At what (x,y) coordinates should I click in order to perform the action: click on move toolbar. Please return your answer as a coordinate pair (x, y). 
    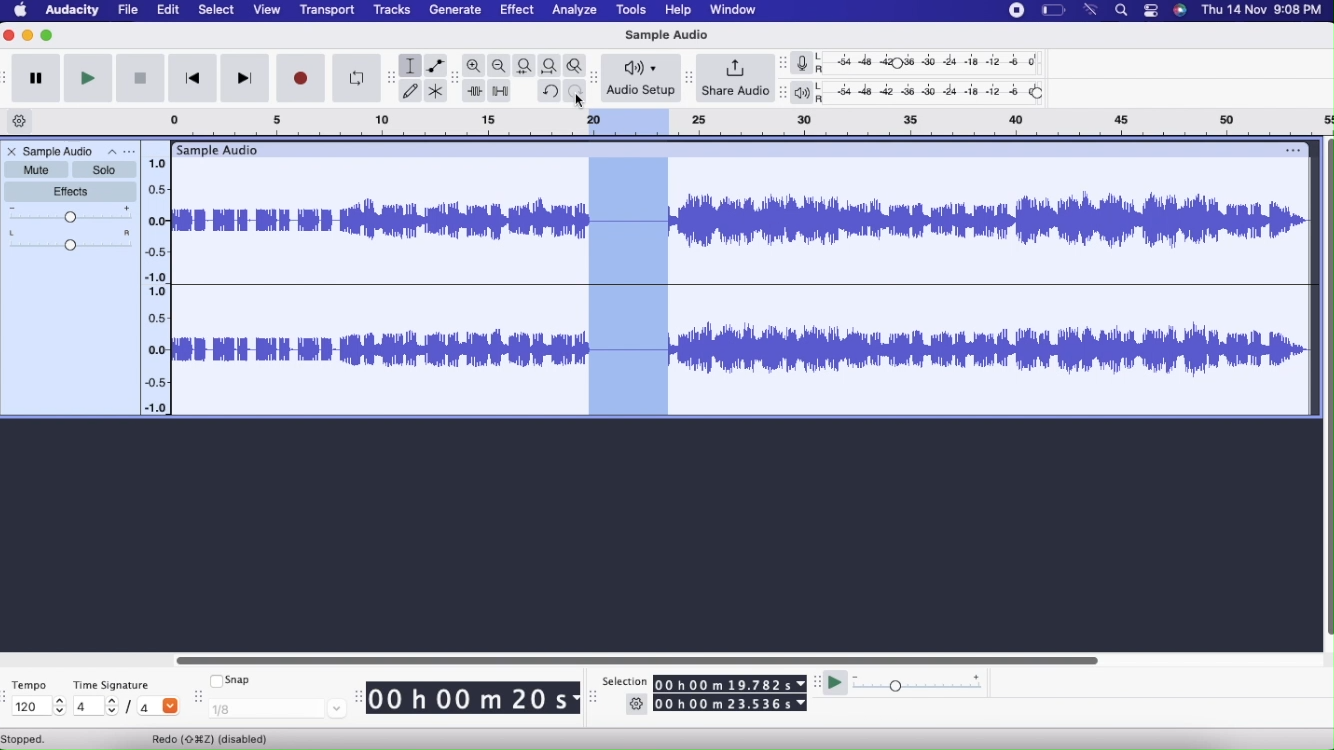
    Looking at the image, I should click on (197, 695).